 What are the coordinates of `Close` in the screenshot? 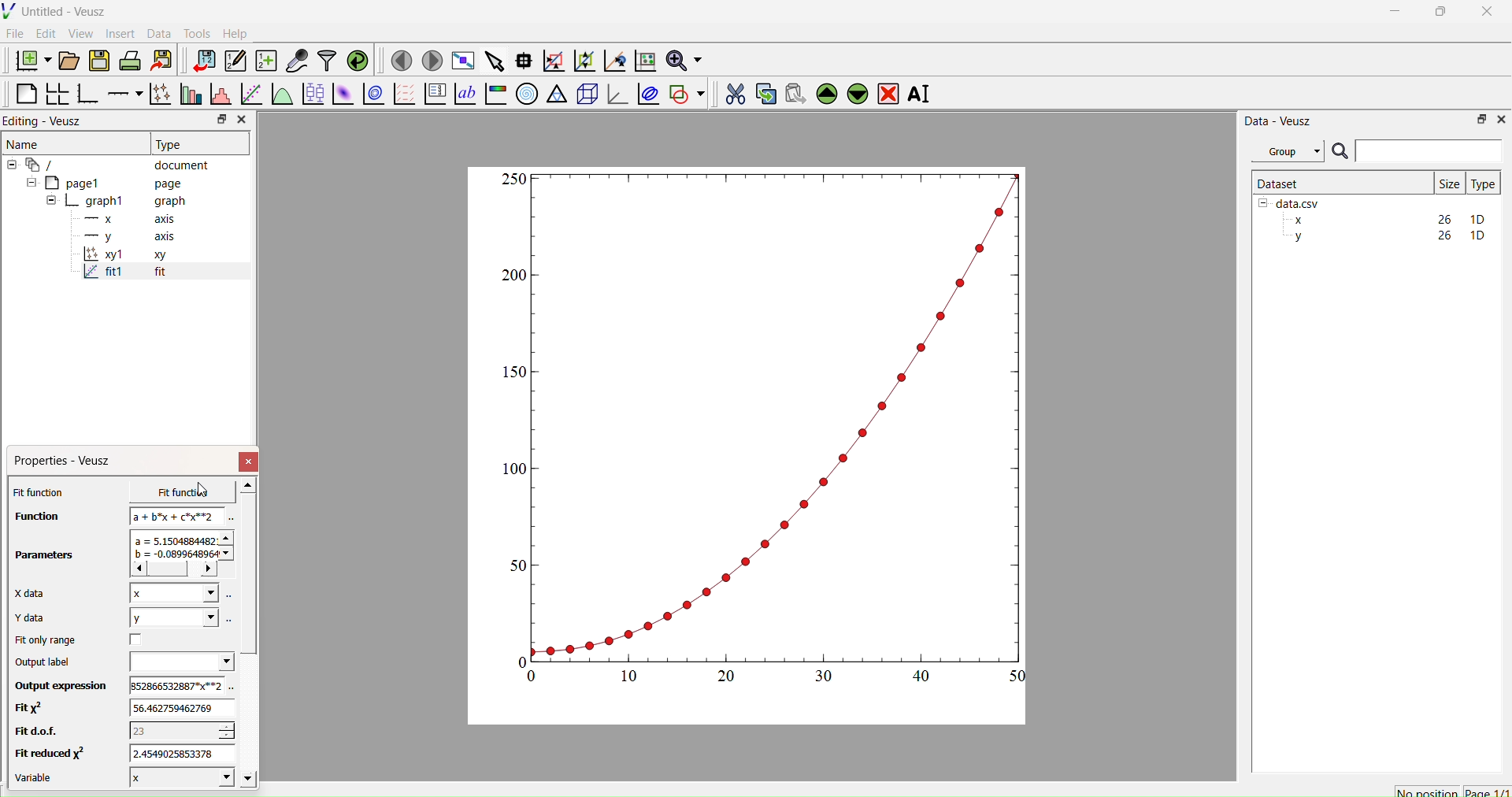 It's located at (1500, 118).